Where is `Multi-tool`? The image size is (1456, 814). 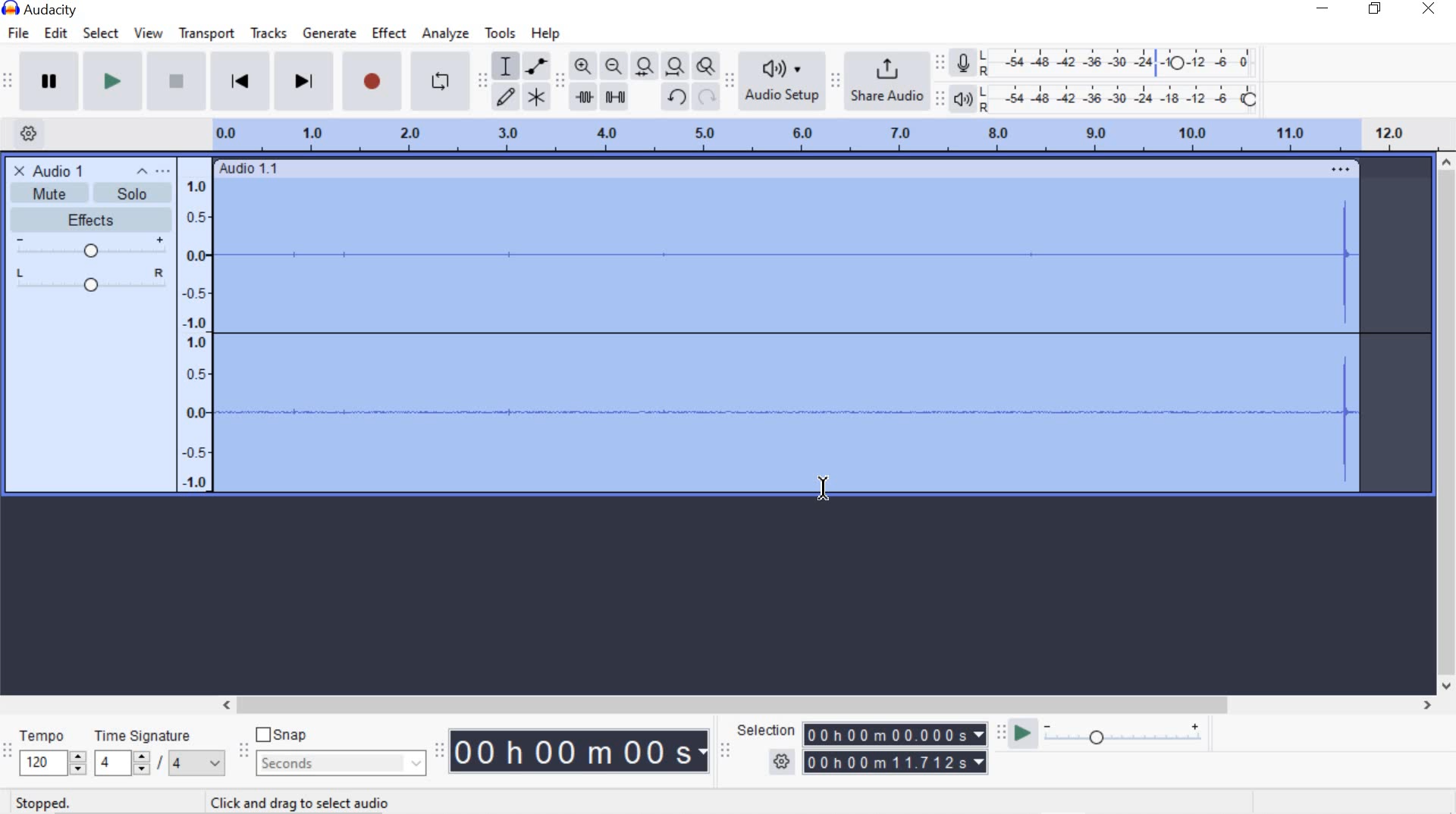 Multi-tool is located at coordinates (537, 96).